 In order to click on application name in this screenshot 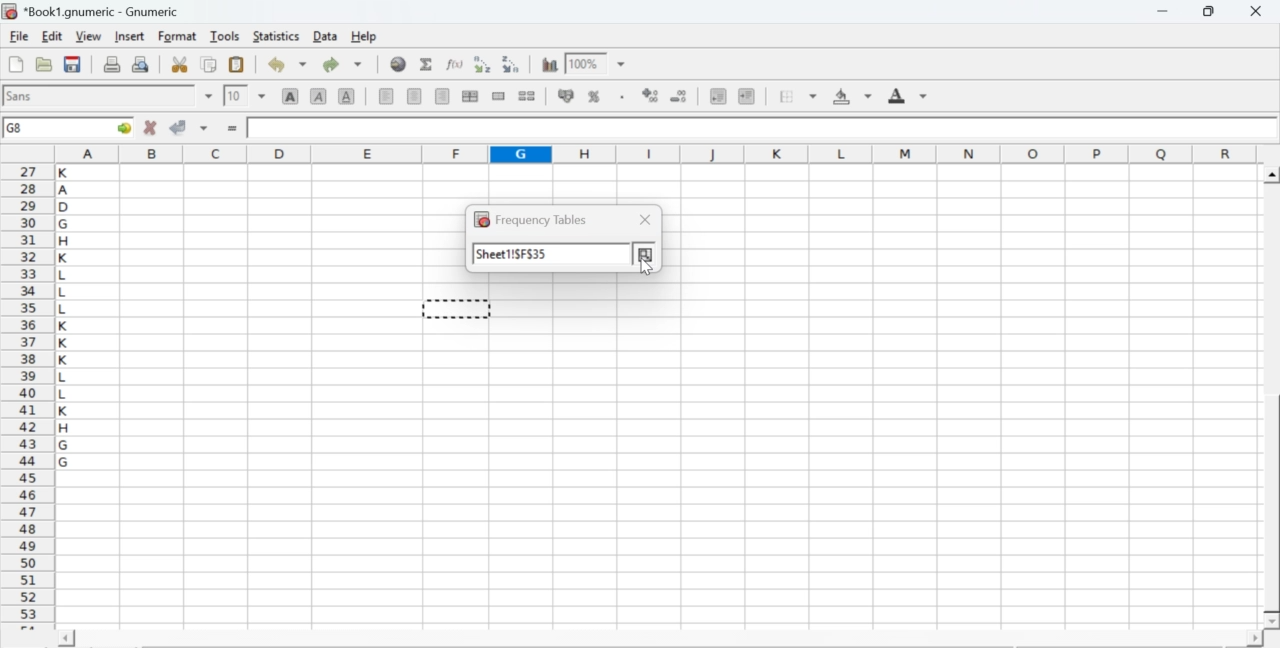, I will do `click(94, 9)`.